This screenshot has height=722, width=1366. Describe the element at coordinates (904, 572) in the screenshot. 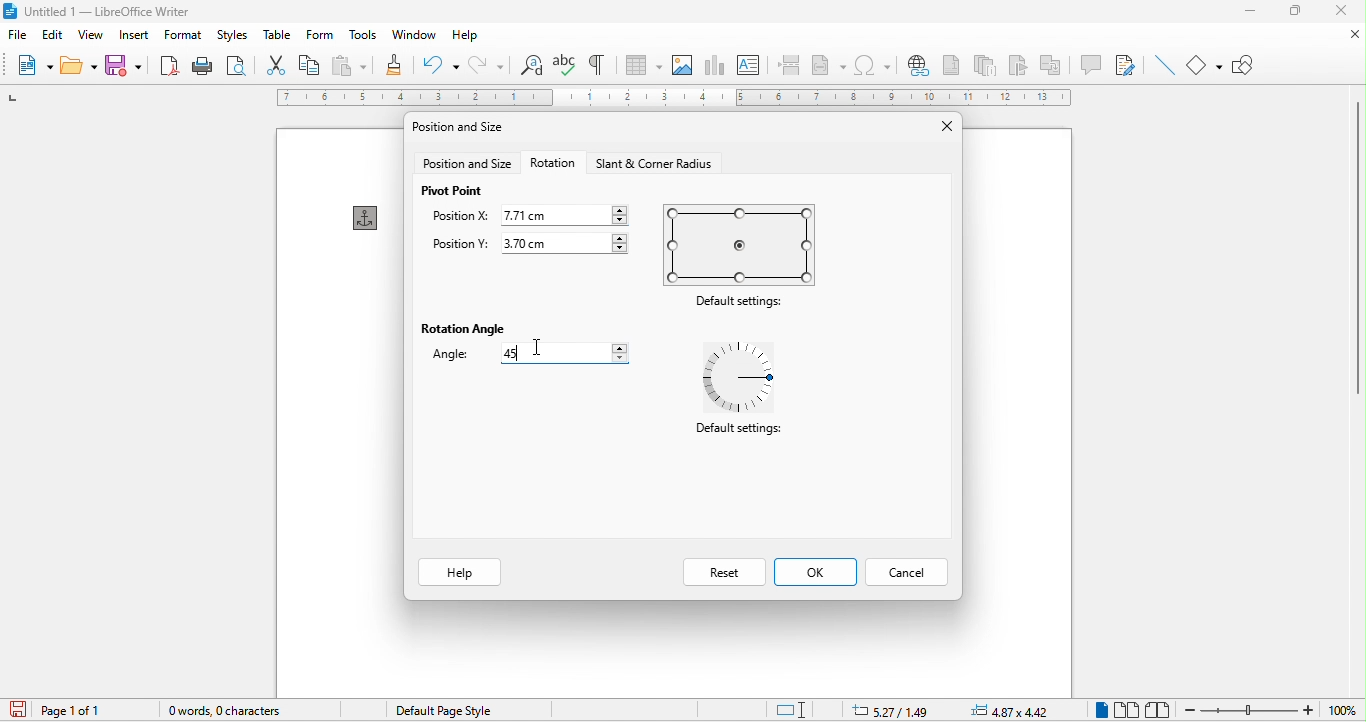

I see `cancel` at that location.